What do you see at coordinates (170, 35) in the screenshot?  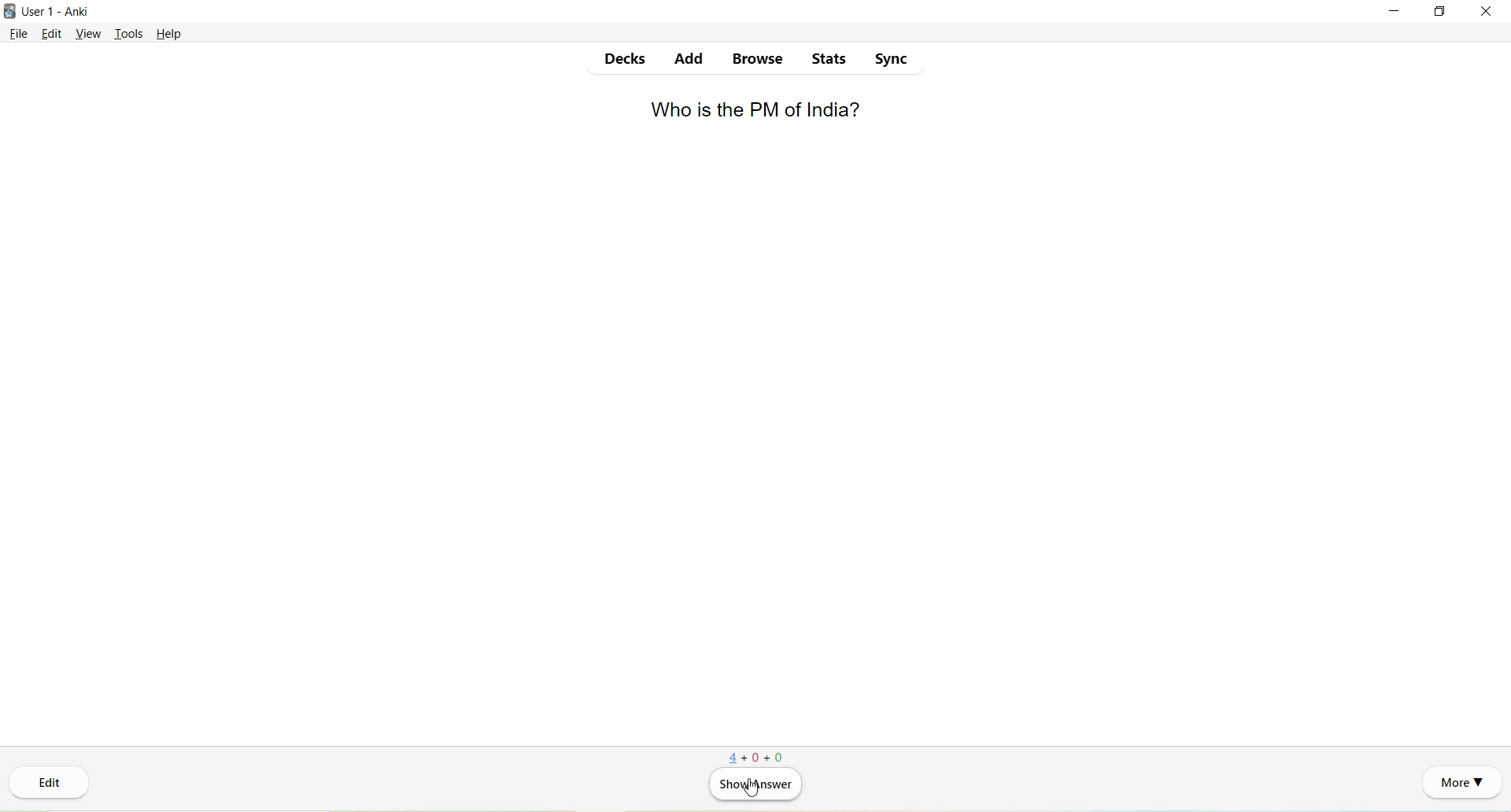 I see `Help` at bounding box center [170, 35].